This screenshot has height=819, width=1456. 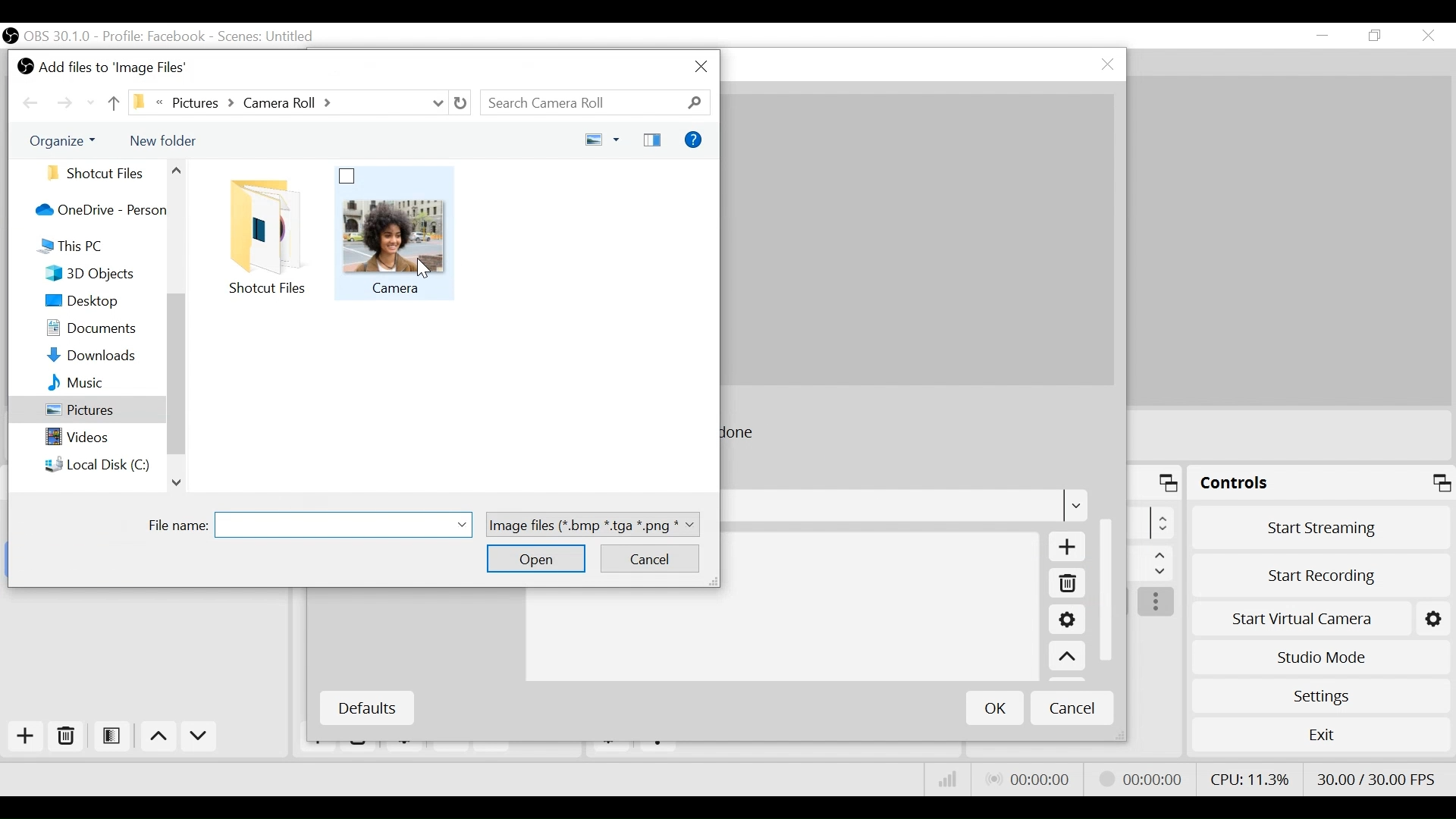 What do you see at coordinates (99, 247) in the screenshot?
I see `This PC` at bounding box center [99, 247].